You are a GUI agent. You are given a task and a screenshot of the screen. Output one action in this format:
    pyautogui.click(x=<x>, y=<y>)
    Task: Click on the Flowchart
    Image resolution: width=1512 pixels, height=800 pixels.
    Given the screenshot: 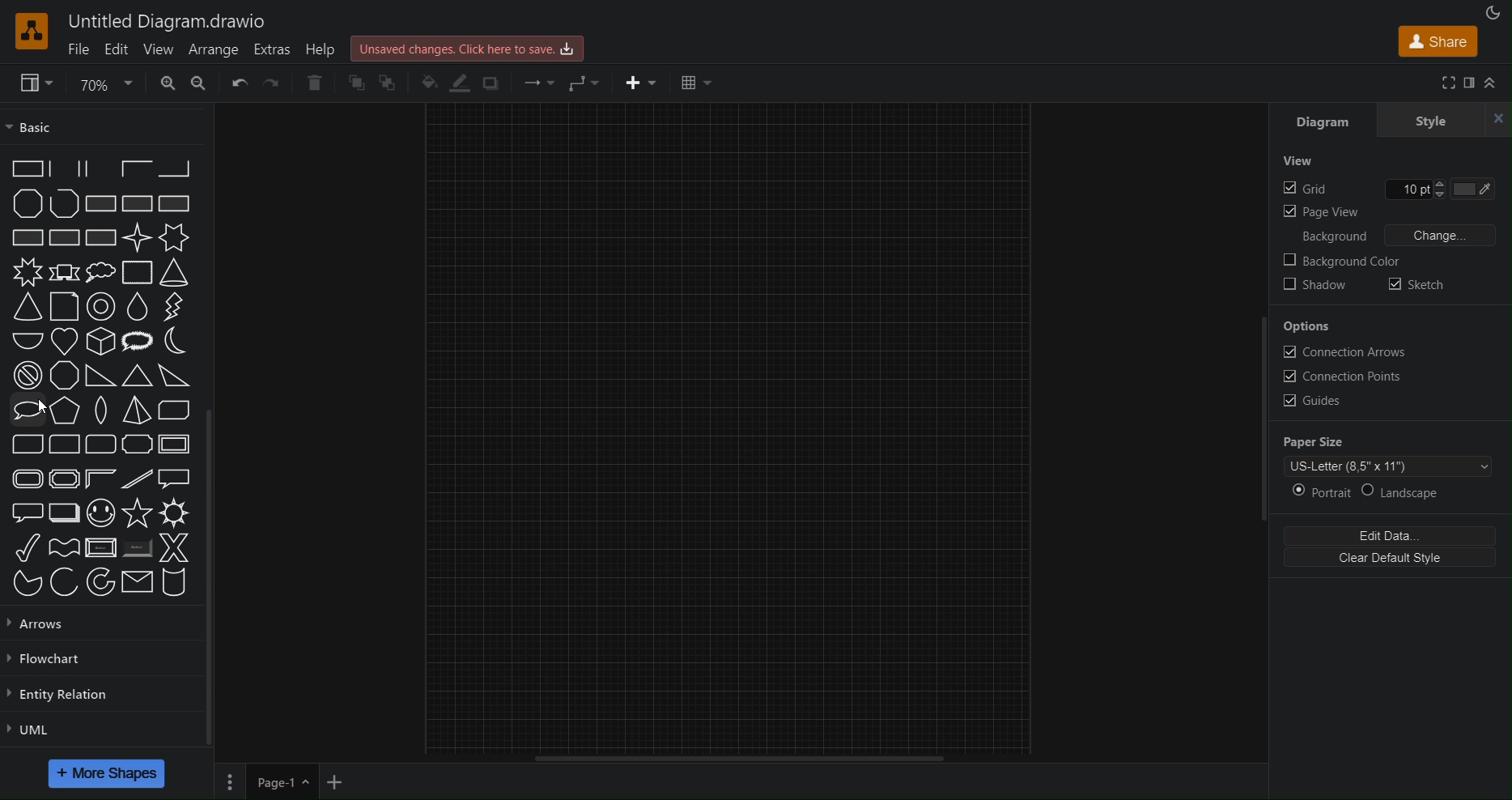 What is the action you would take?
    pyautogui.click(x=51, y=662)
    